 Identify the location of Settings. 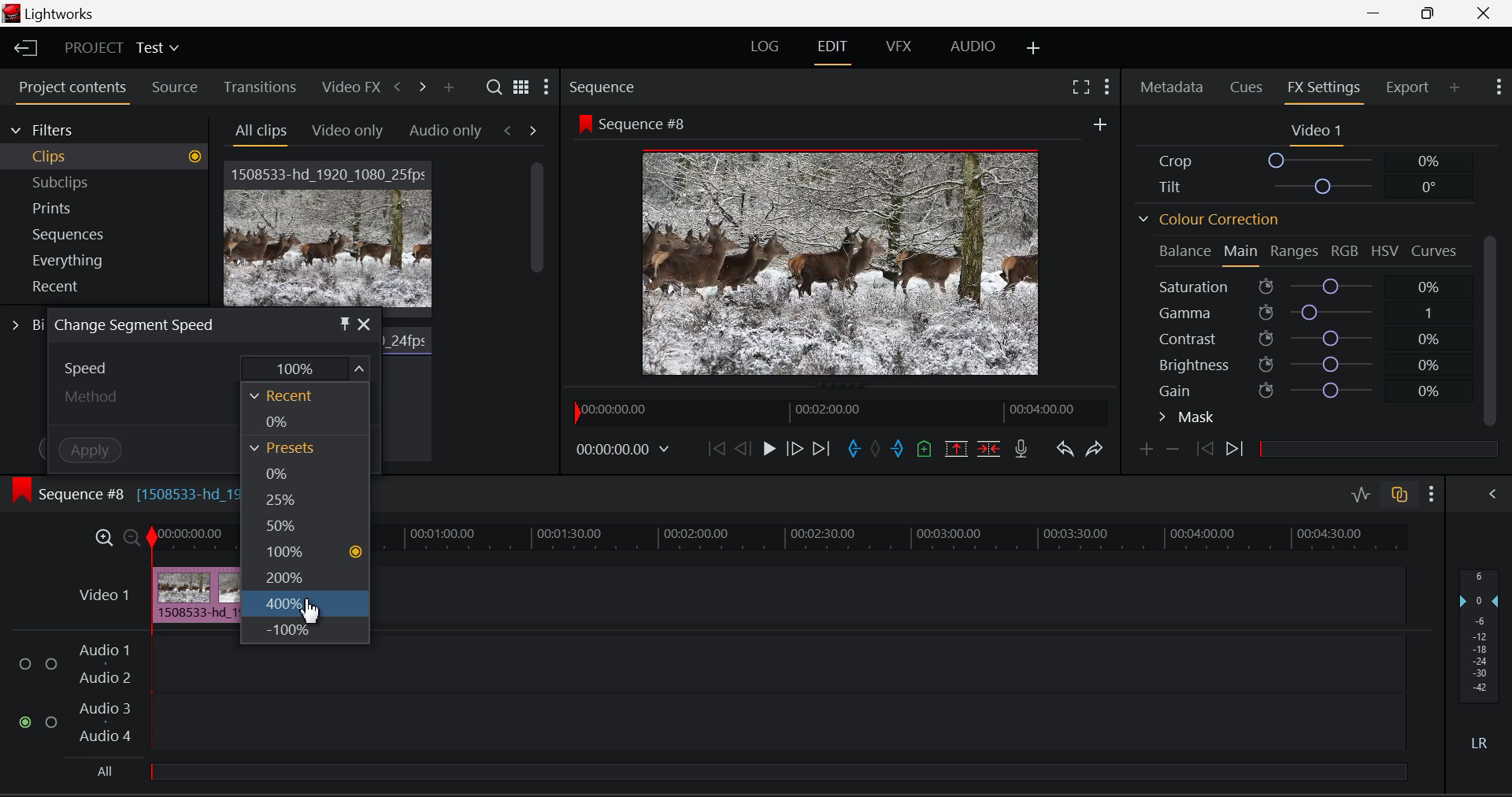
(549, 87).